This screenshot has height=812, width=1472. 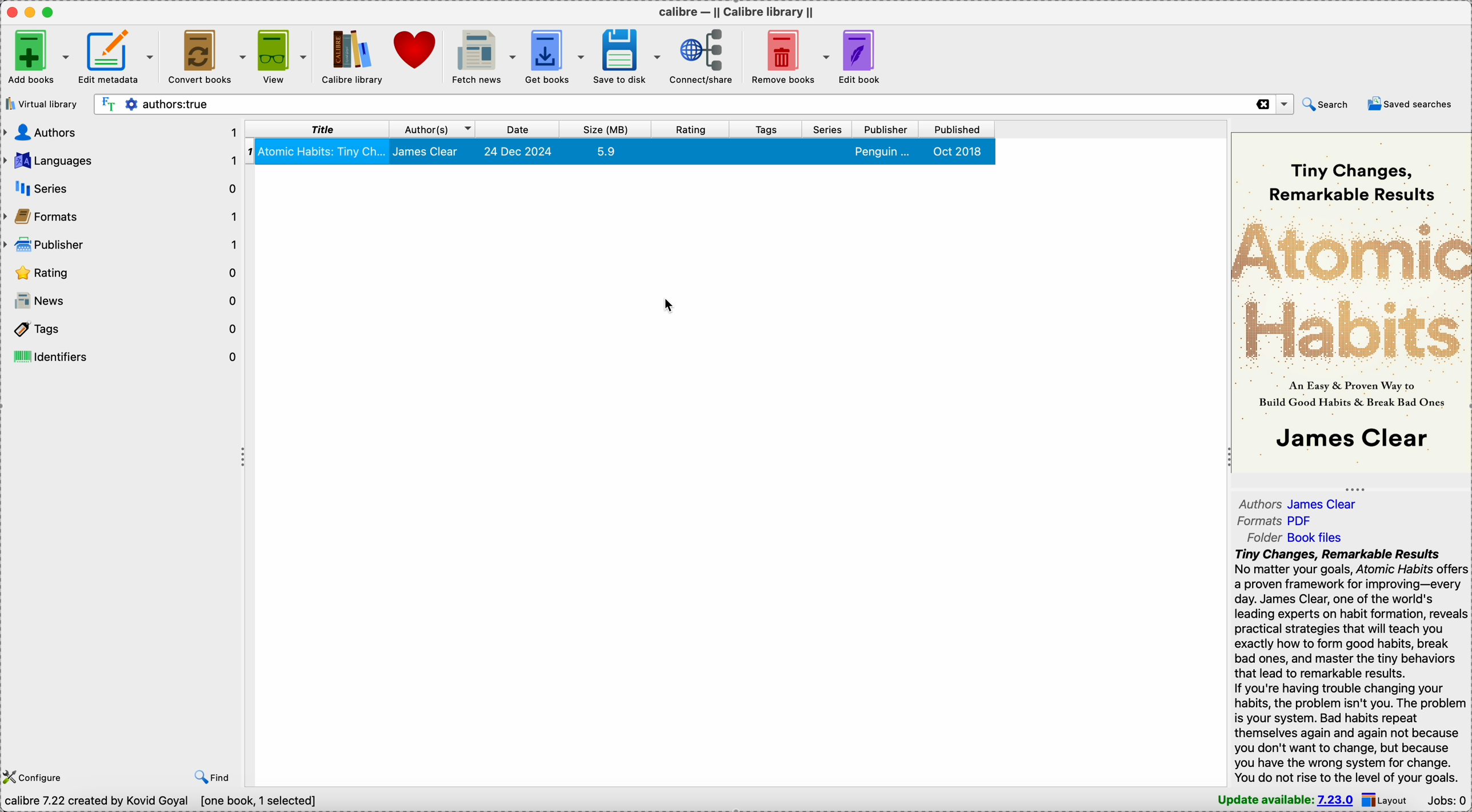 What do you see at coordinates (787, 58) in the screenshot?
I see `remove books` at bounding box center [787, 58].